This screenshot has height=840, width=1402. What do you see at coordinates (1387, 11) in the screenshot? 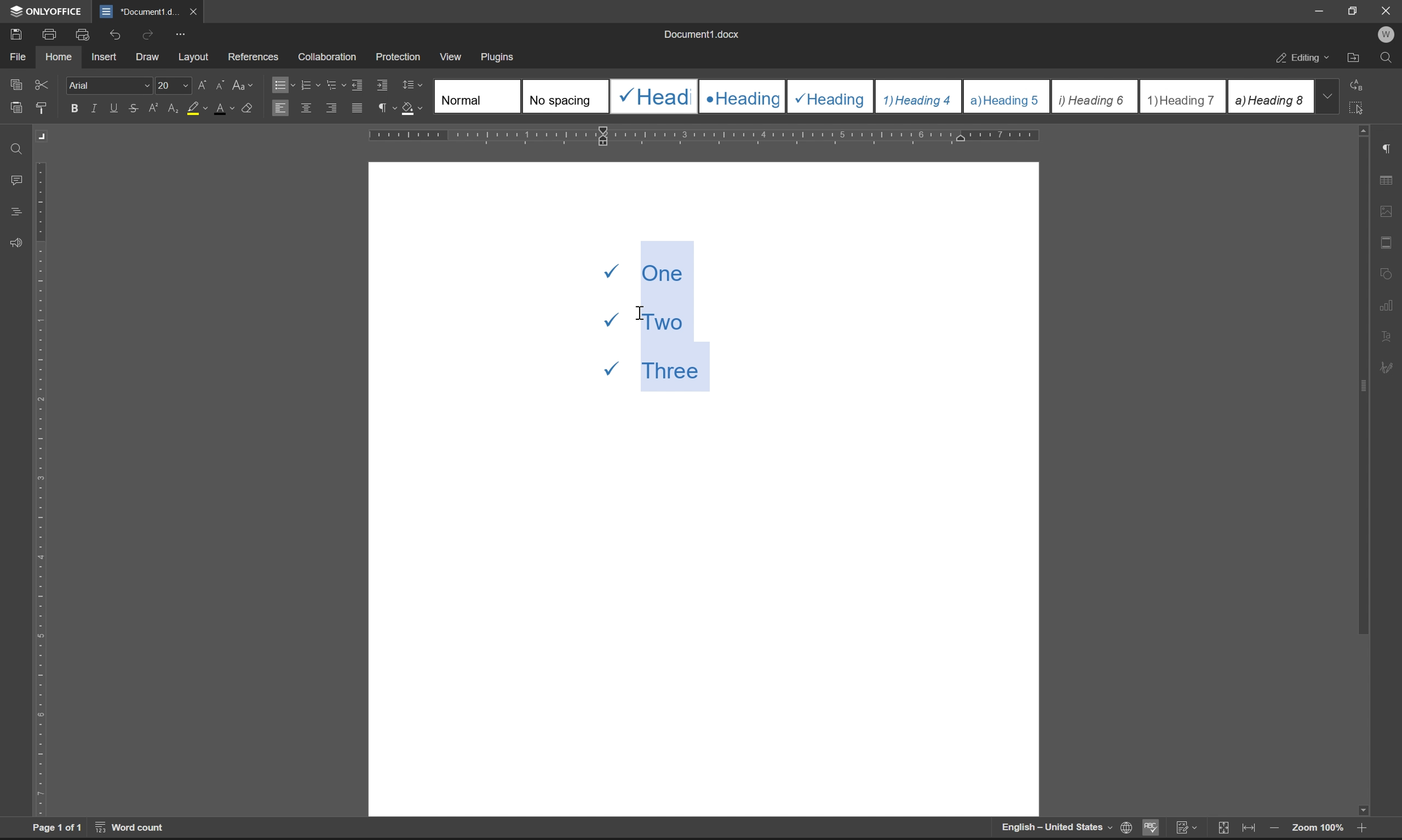
I see `Close` at bounding box center [1387, 11].